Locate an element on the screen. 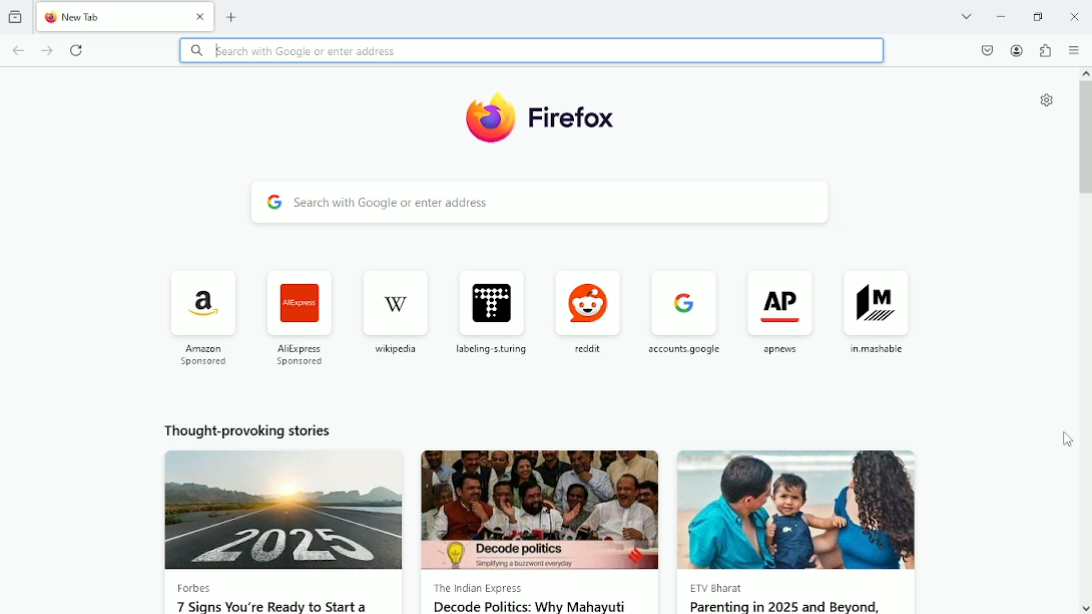 The image size is (1092, 614). labeling turing is located at coordinates (484, 318).